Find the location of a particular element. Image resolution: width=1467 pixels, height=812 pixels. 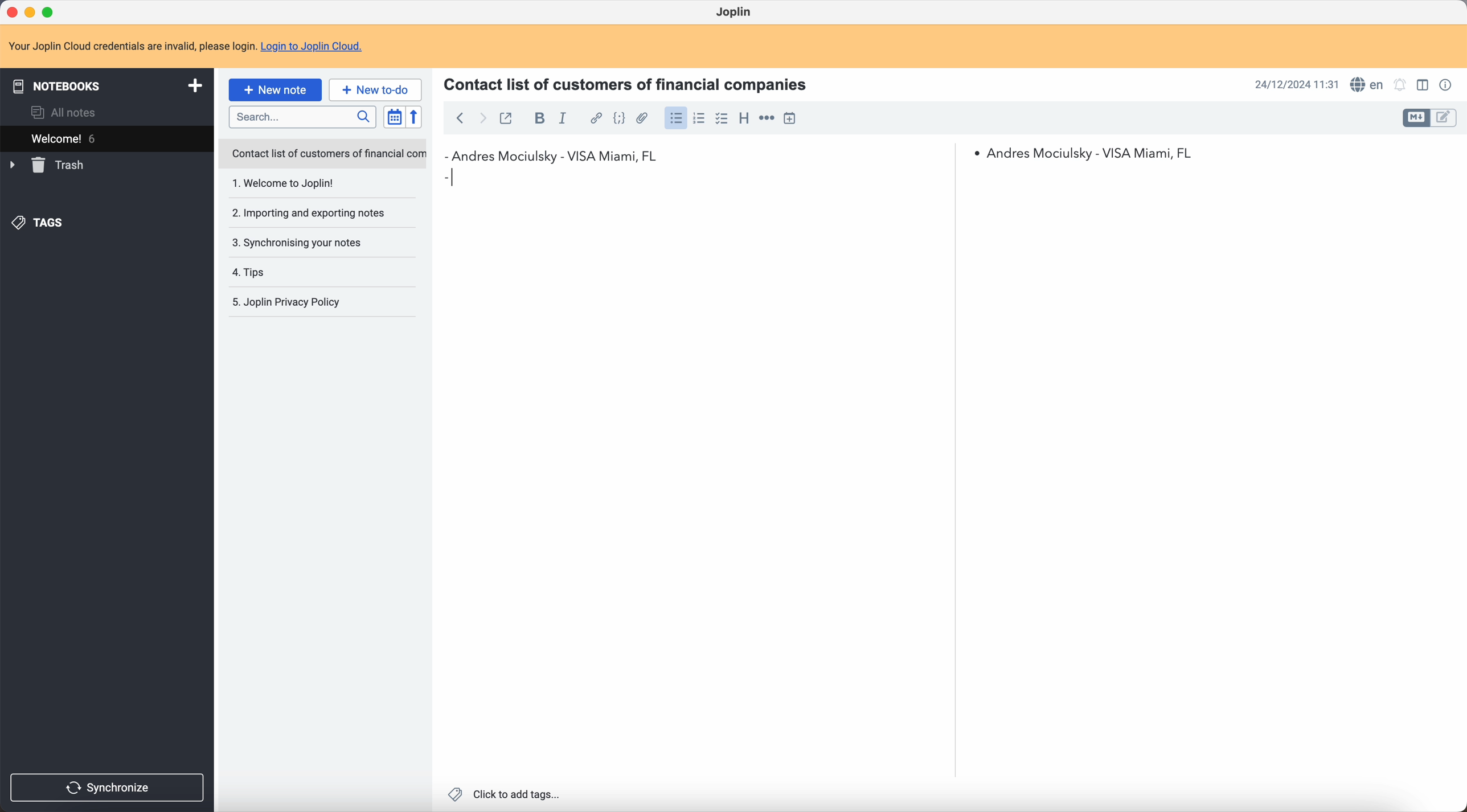

all notes is located at coordinates (64, 111).